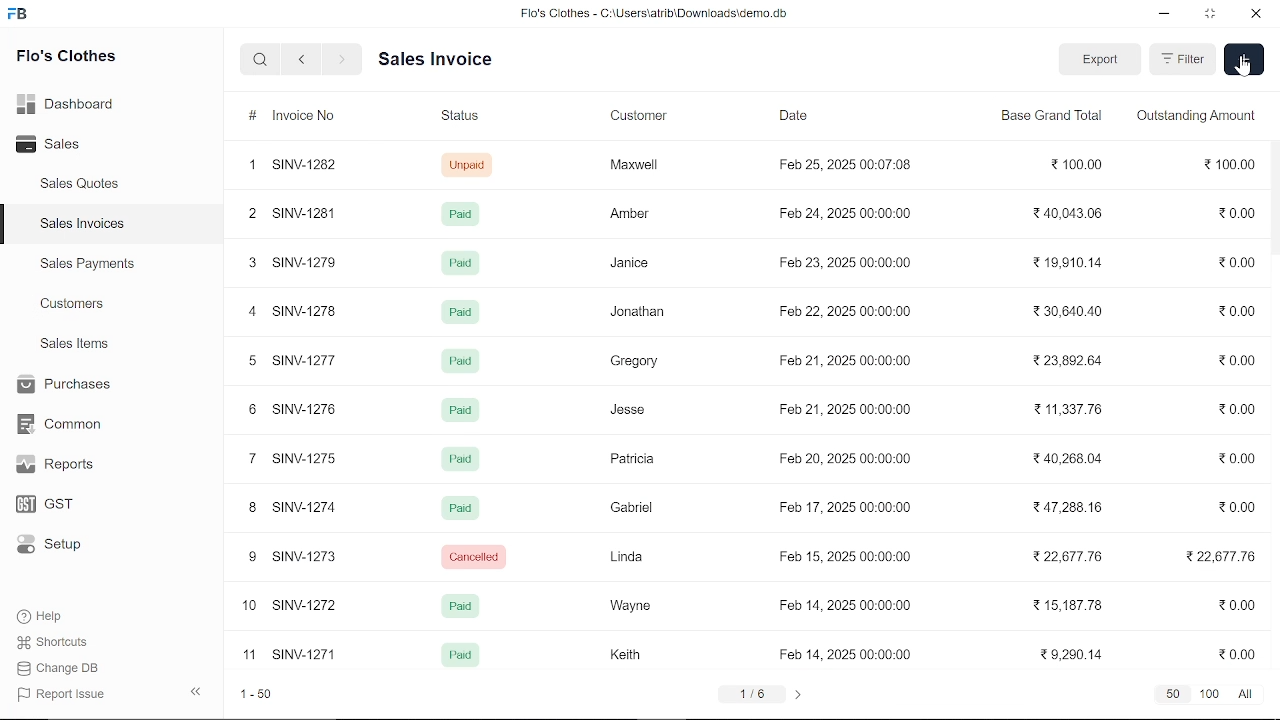  What do you see at coordinates (70, 145) in the screenshot?
I see `Sales` at bounding box center [70, 145].